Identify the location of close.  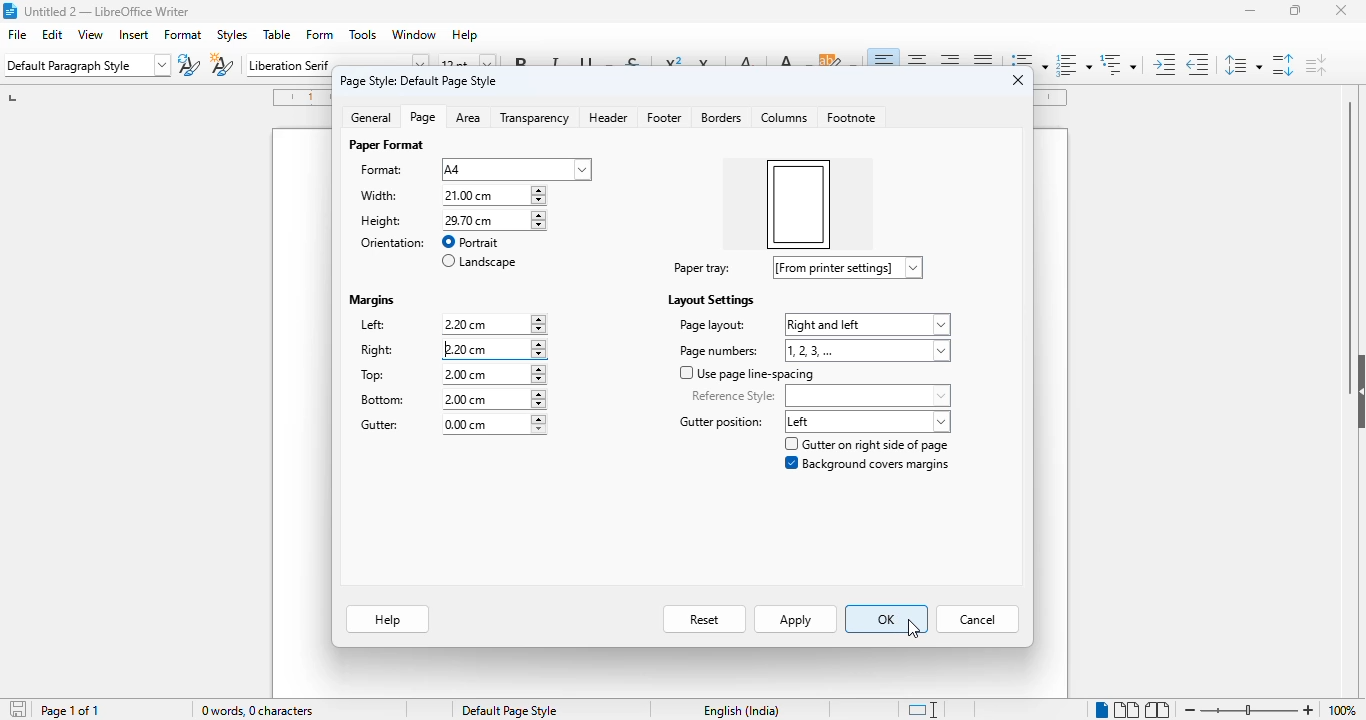
(1019, 80).